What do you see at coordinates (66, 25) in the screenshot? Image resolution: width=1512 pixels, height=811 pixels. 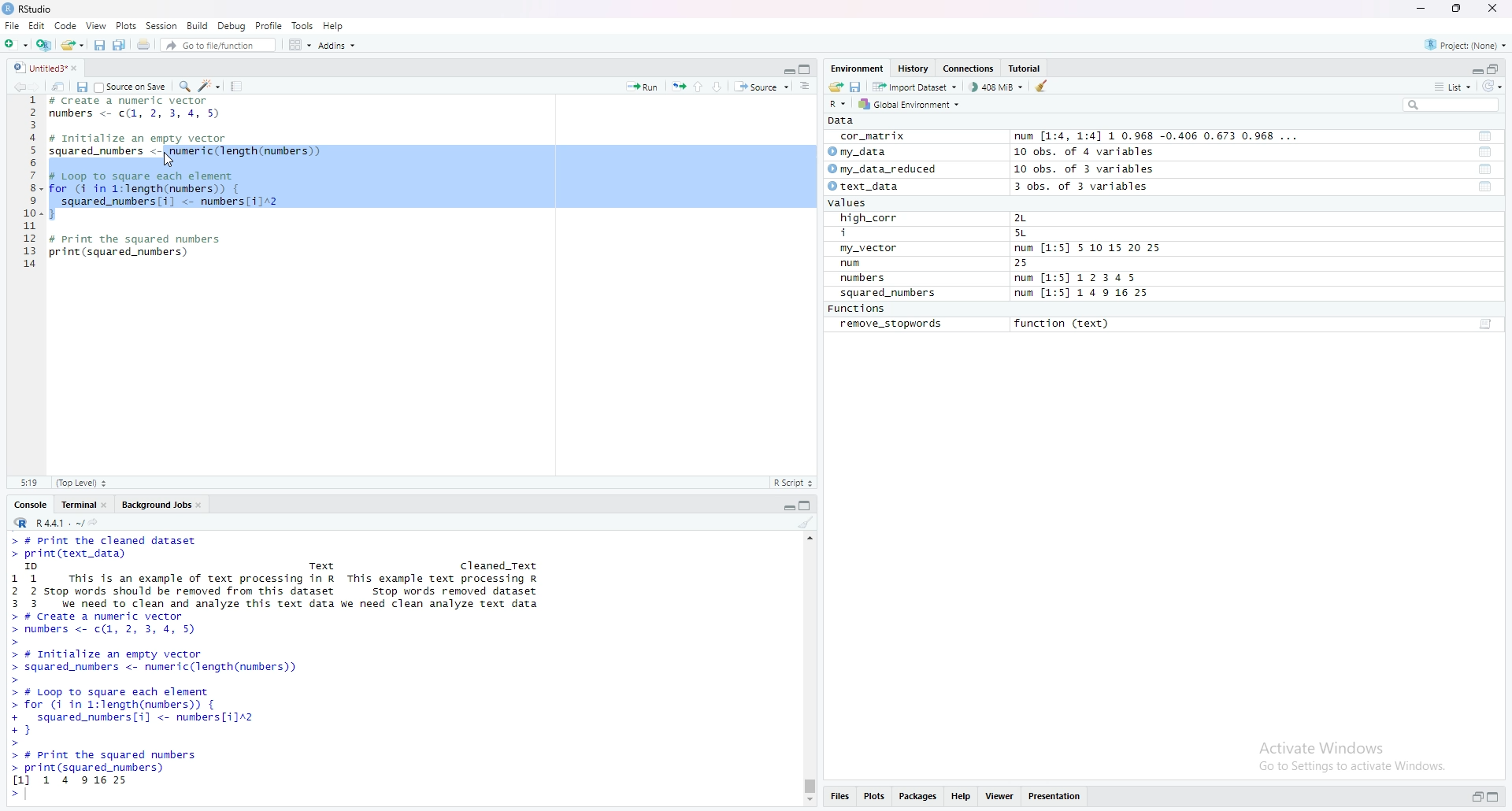 I see `Code` at bounding box center [66, 25].